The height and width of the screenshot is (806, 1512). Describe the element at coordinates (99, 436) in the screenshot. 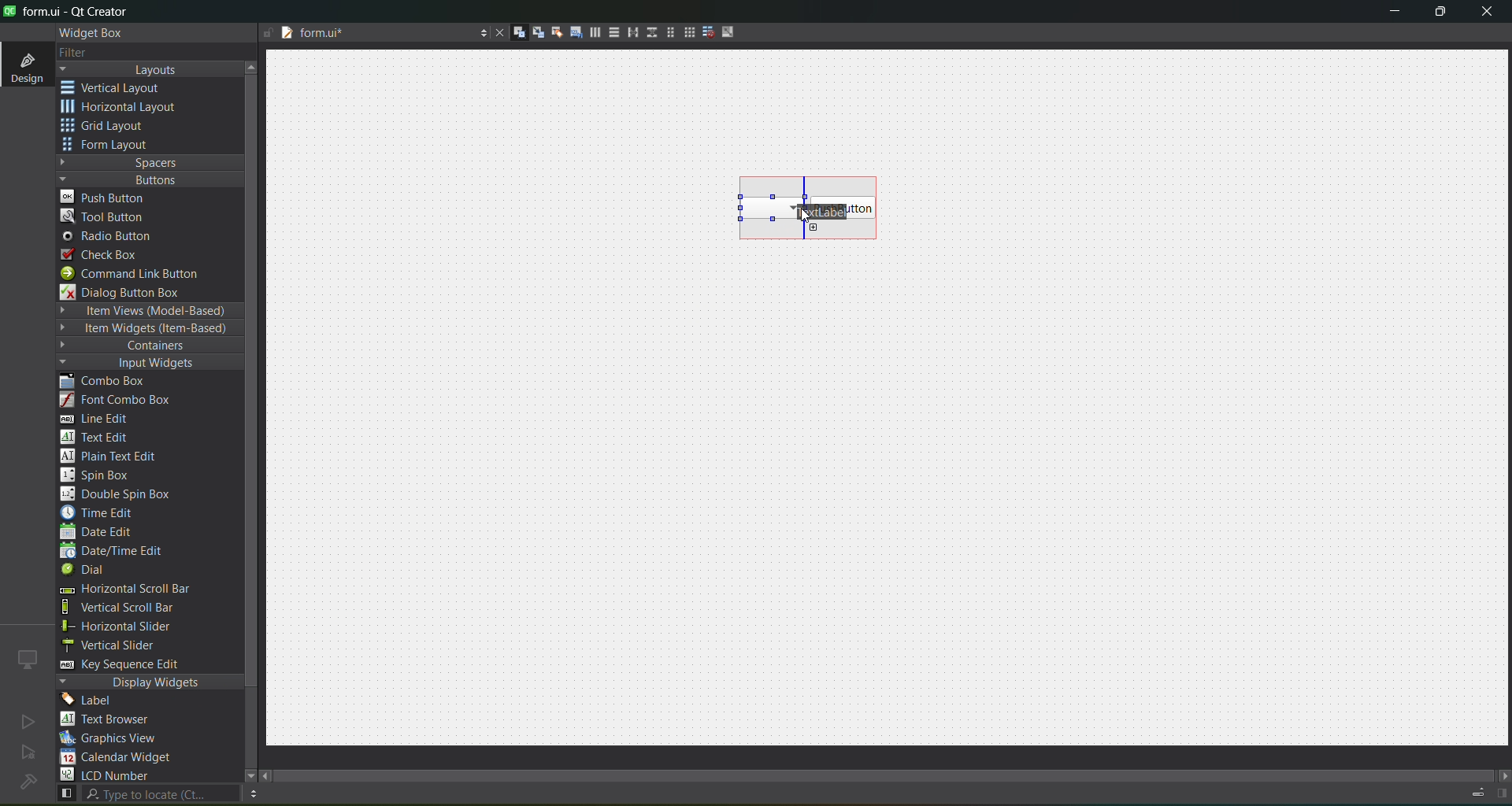

I see `text edit` at that location.